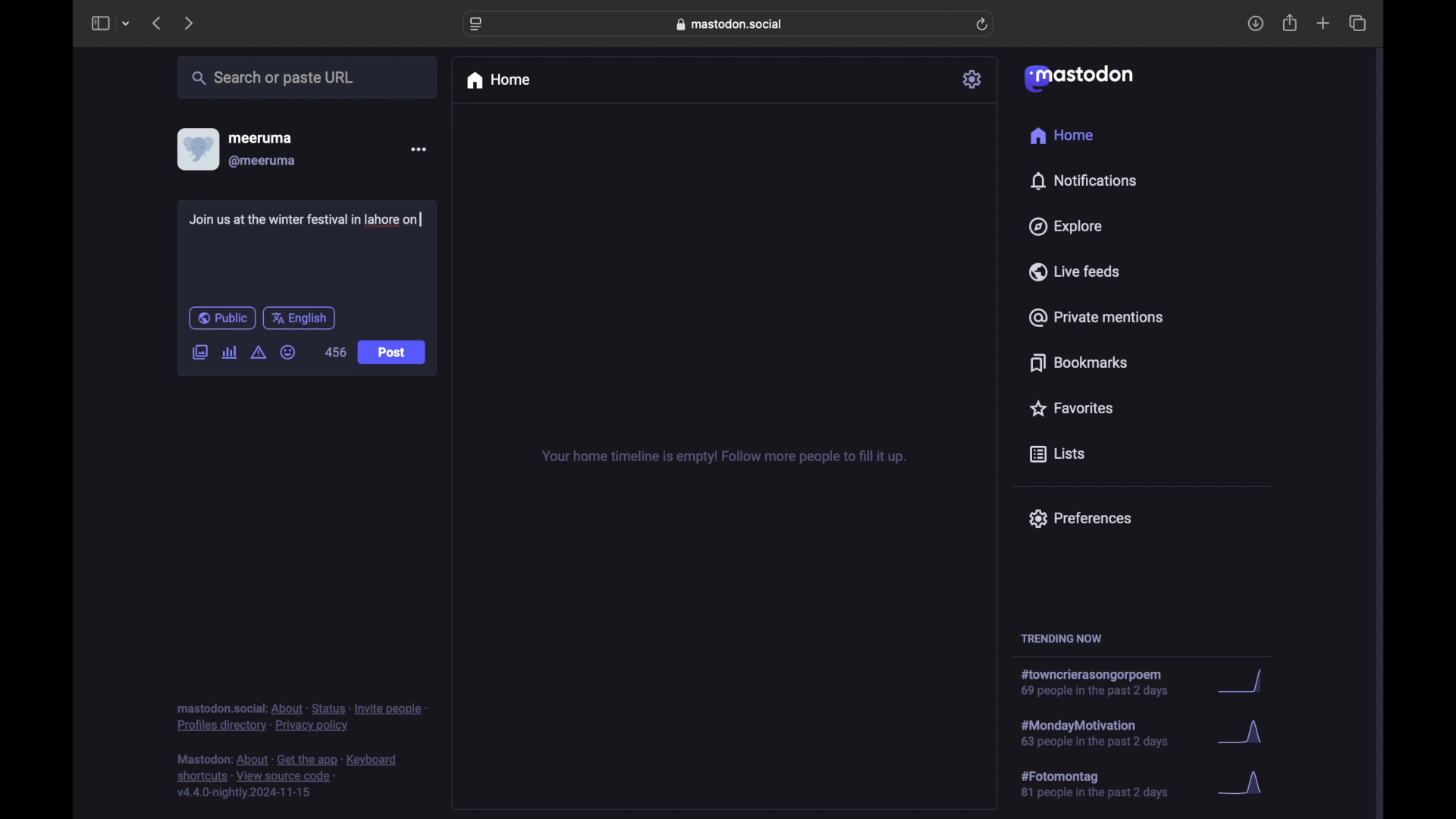  What do you see at coordinates (99, 23) in the screenshot?
I see `sidebar` at bounding box center [99, 23].